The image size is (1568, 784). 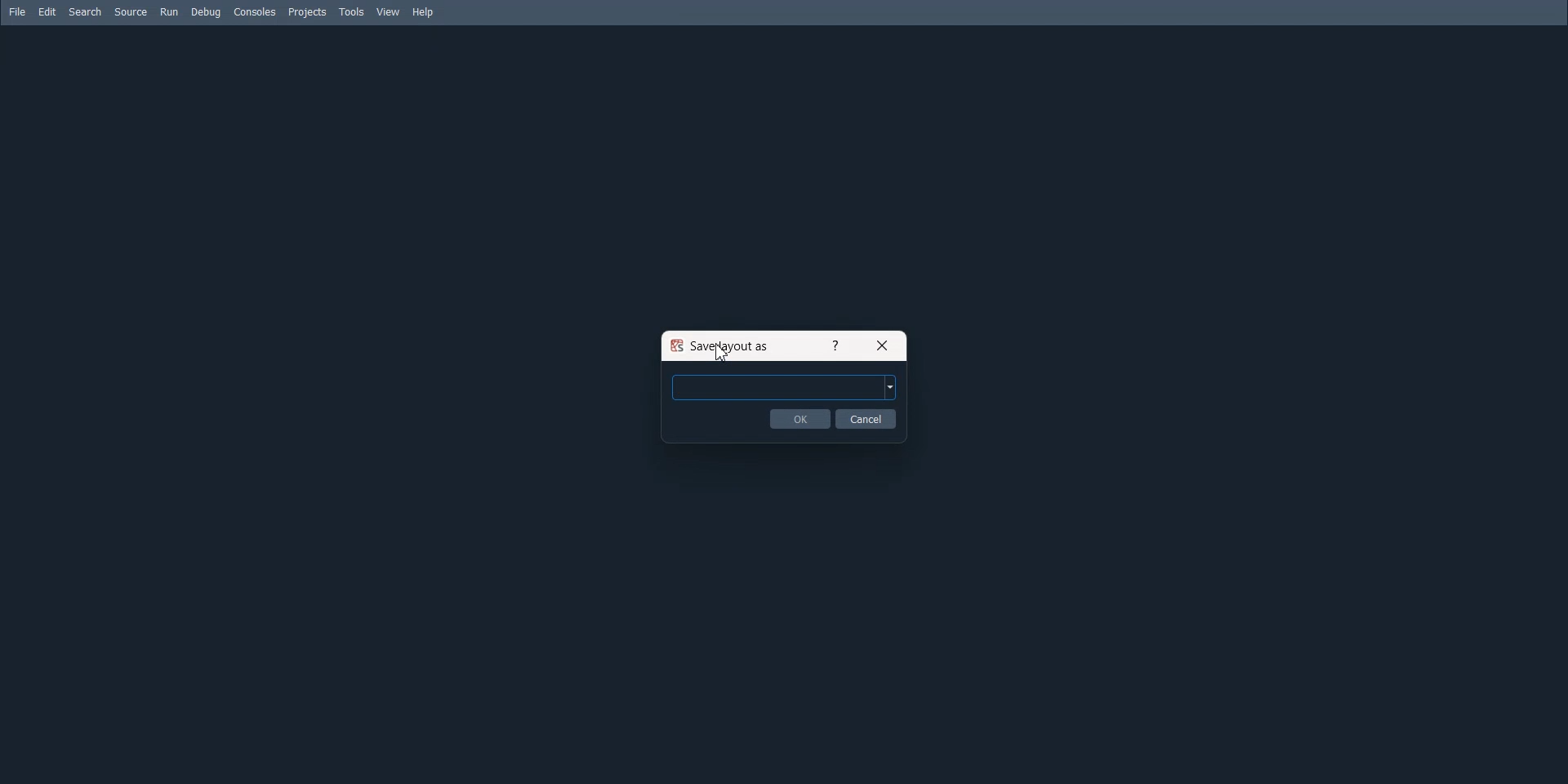 What do you see at coordinates (387, 12) in the screenshot?
I see `View` at bounding box center [387, 12].